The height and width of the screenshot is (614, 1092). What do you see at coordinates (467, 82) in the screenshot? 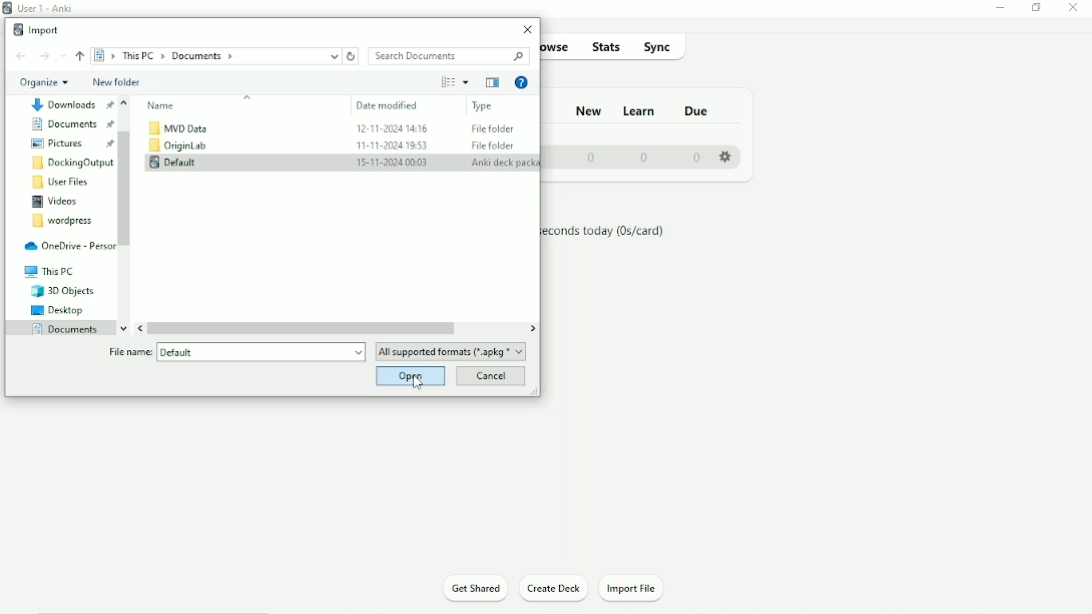
I see `More Options` at bounding box center [467, 82].